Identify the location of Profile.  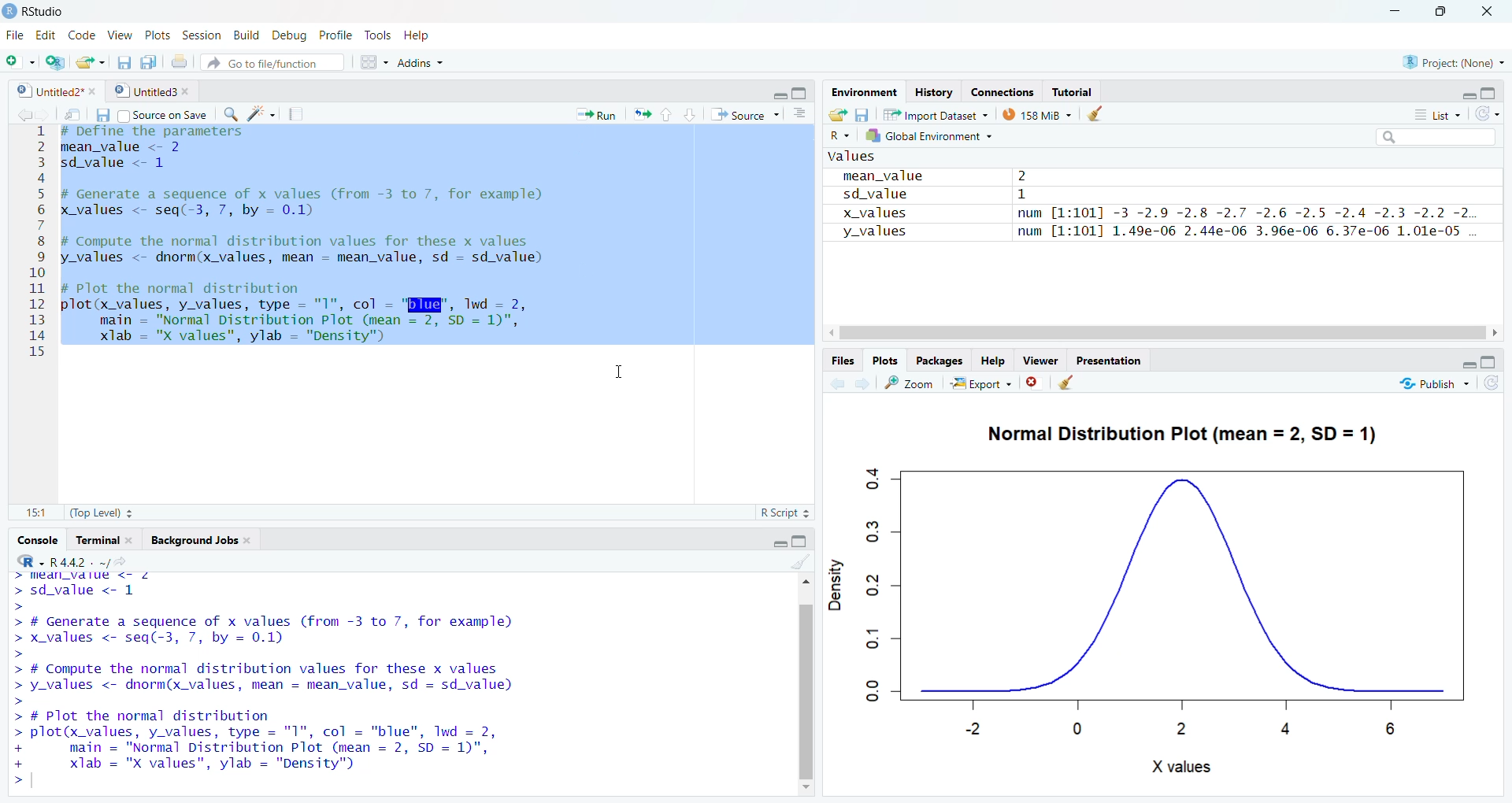
(333, 35).